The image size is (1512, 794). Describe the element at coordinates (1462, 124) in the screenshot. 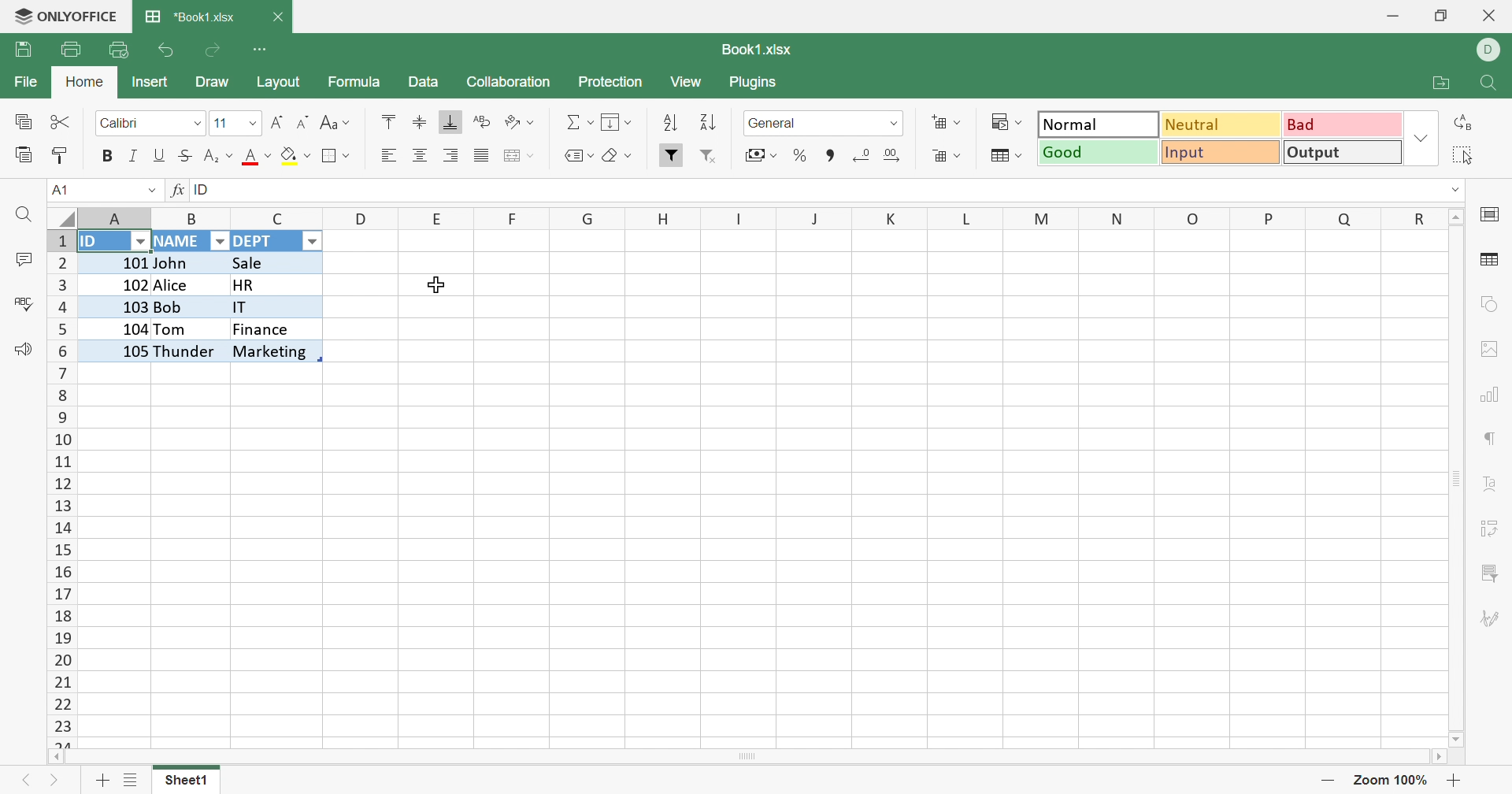

I see `Replace` at that location.